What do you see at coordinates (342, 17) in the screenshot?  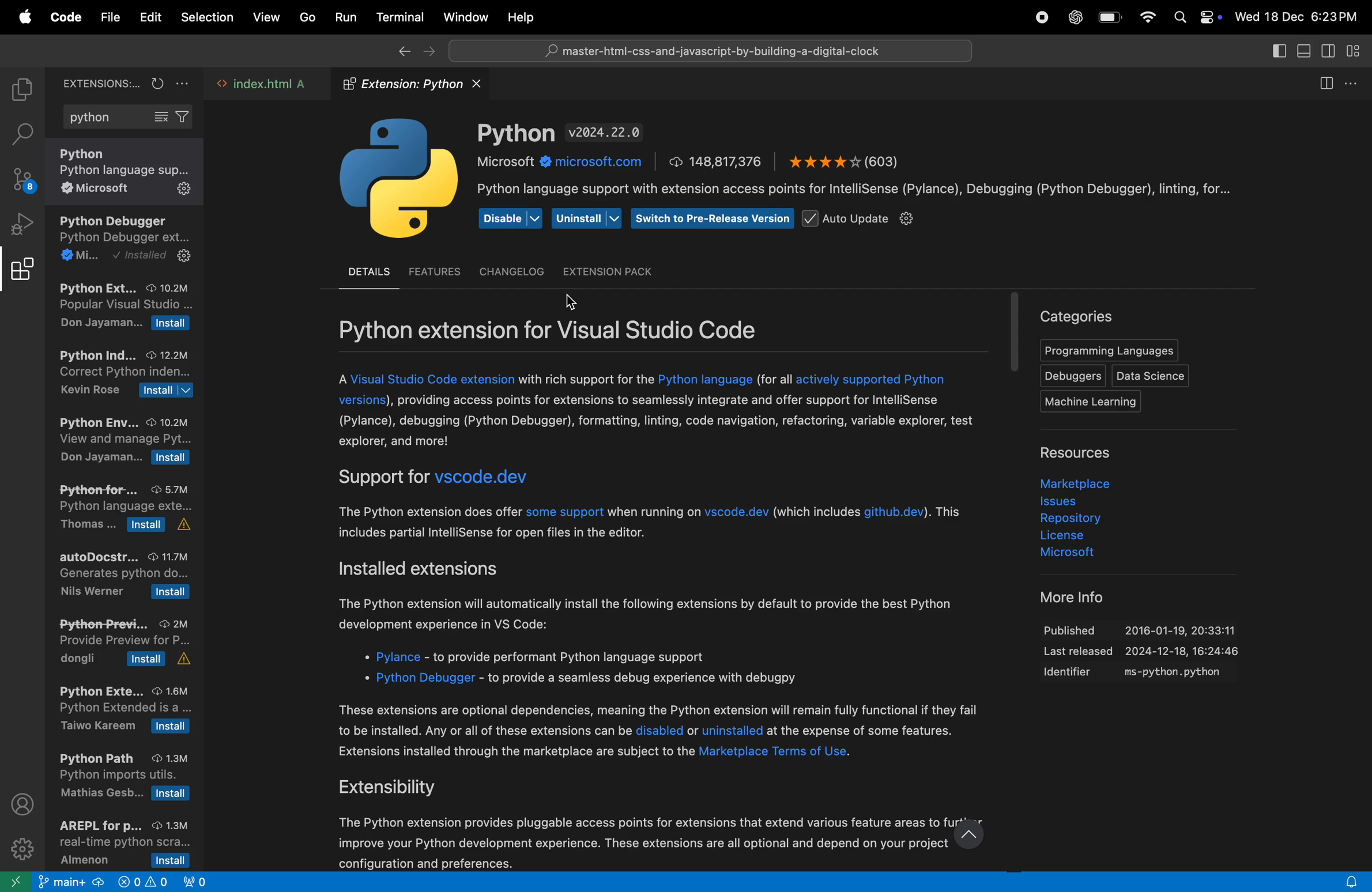 I see `run` at bounding box center [342, 17].